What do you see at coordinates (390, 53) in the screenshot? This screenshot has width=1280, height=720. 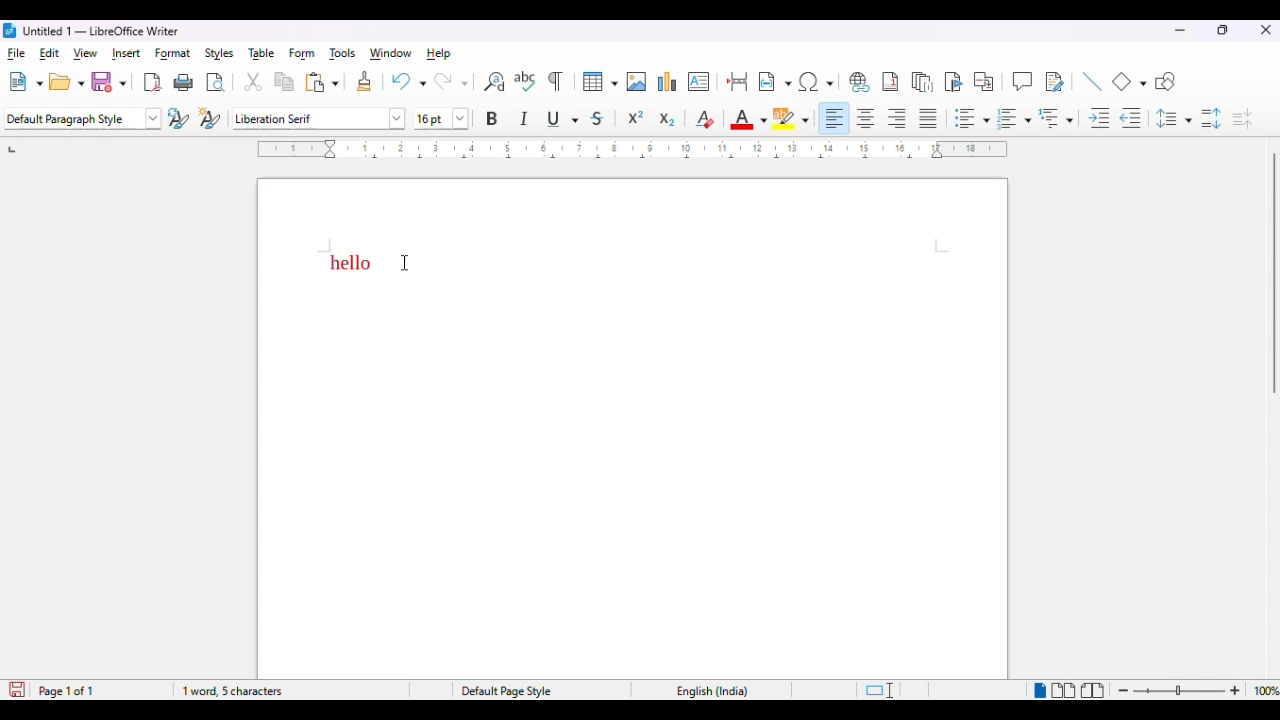 I see `window` at bounding box center [390, 53].